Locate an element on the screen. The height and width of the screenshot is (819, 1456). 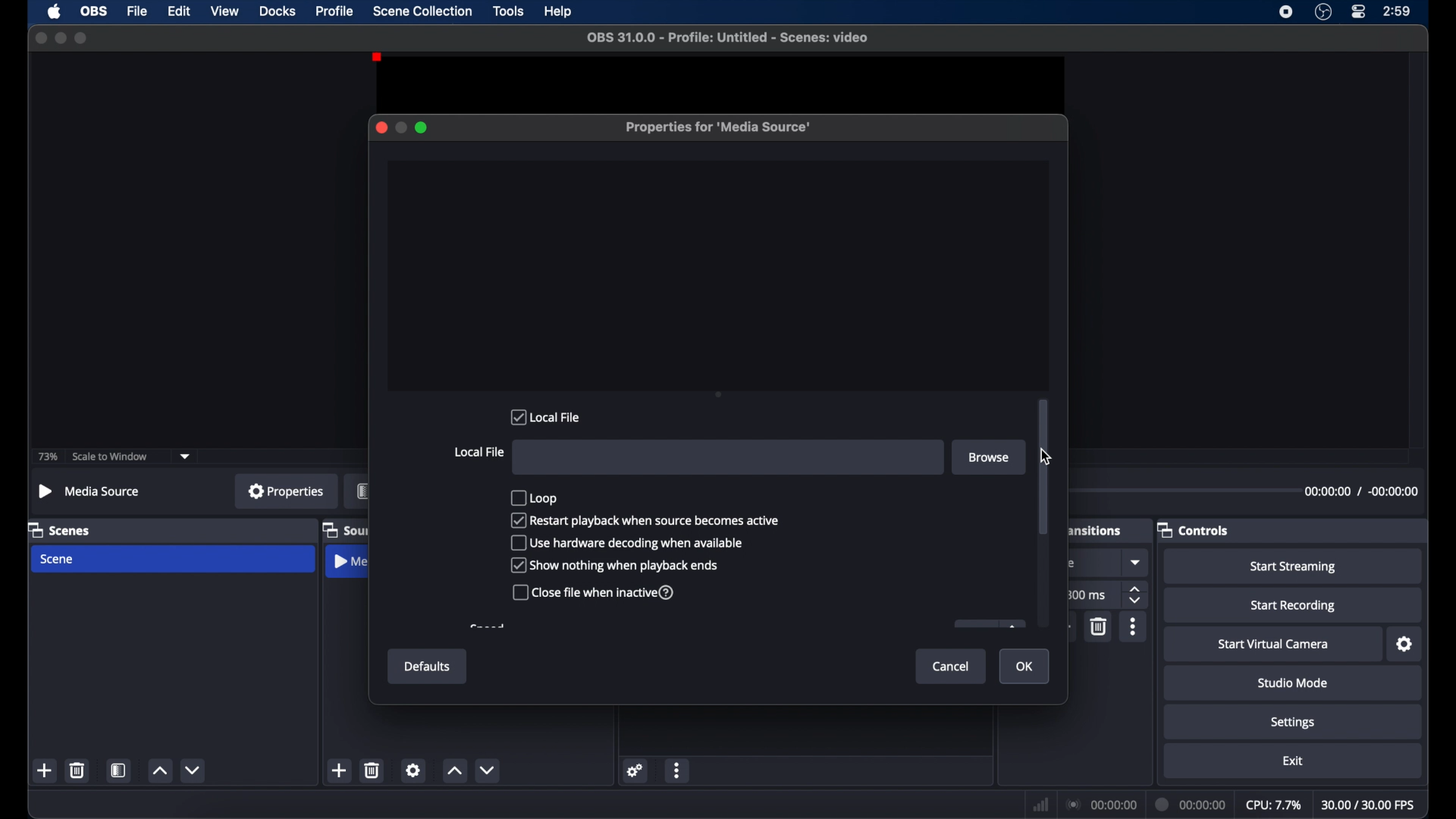
start recording is located at coordinates (1293, 606).